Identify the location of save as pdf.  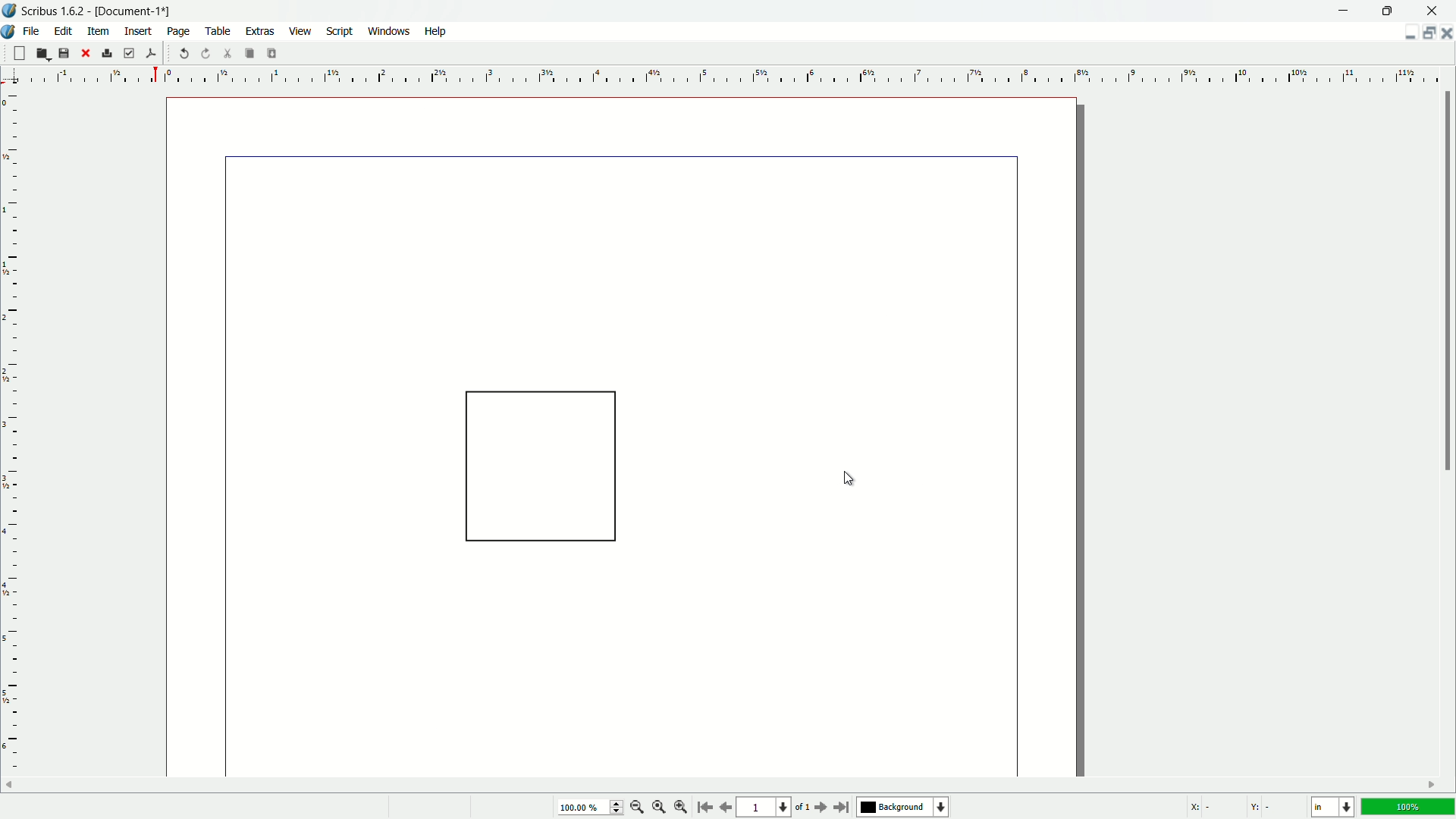
(151, 54).